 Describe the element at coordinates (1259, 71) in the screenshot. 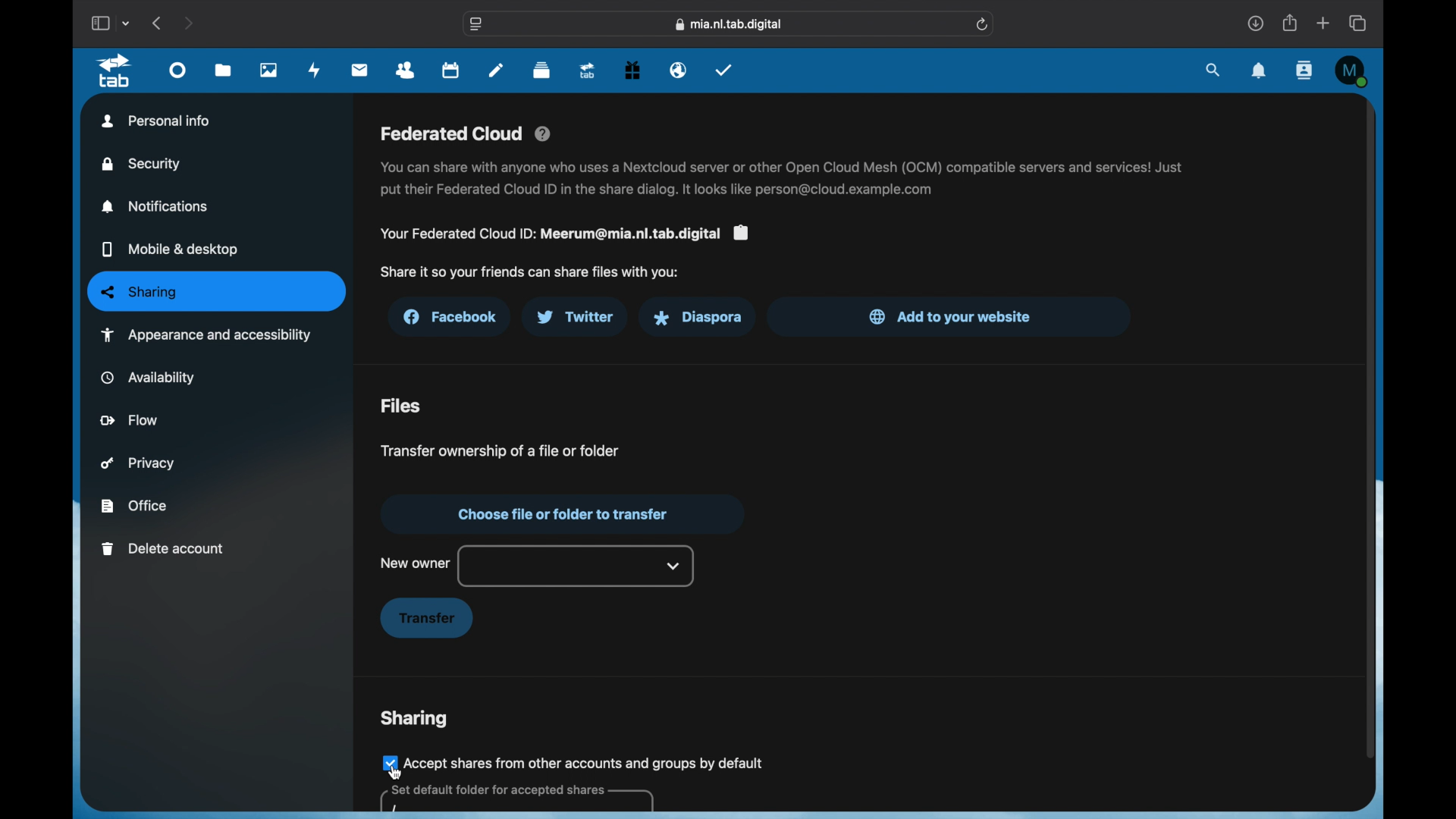

I see `notifications` at that location.